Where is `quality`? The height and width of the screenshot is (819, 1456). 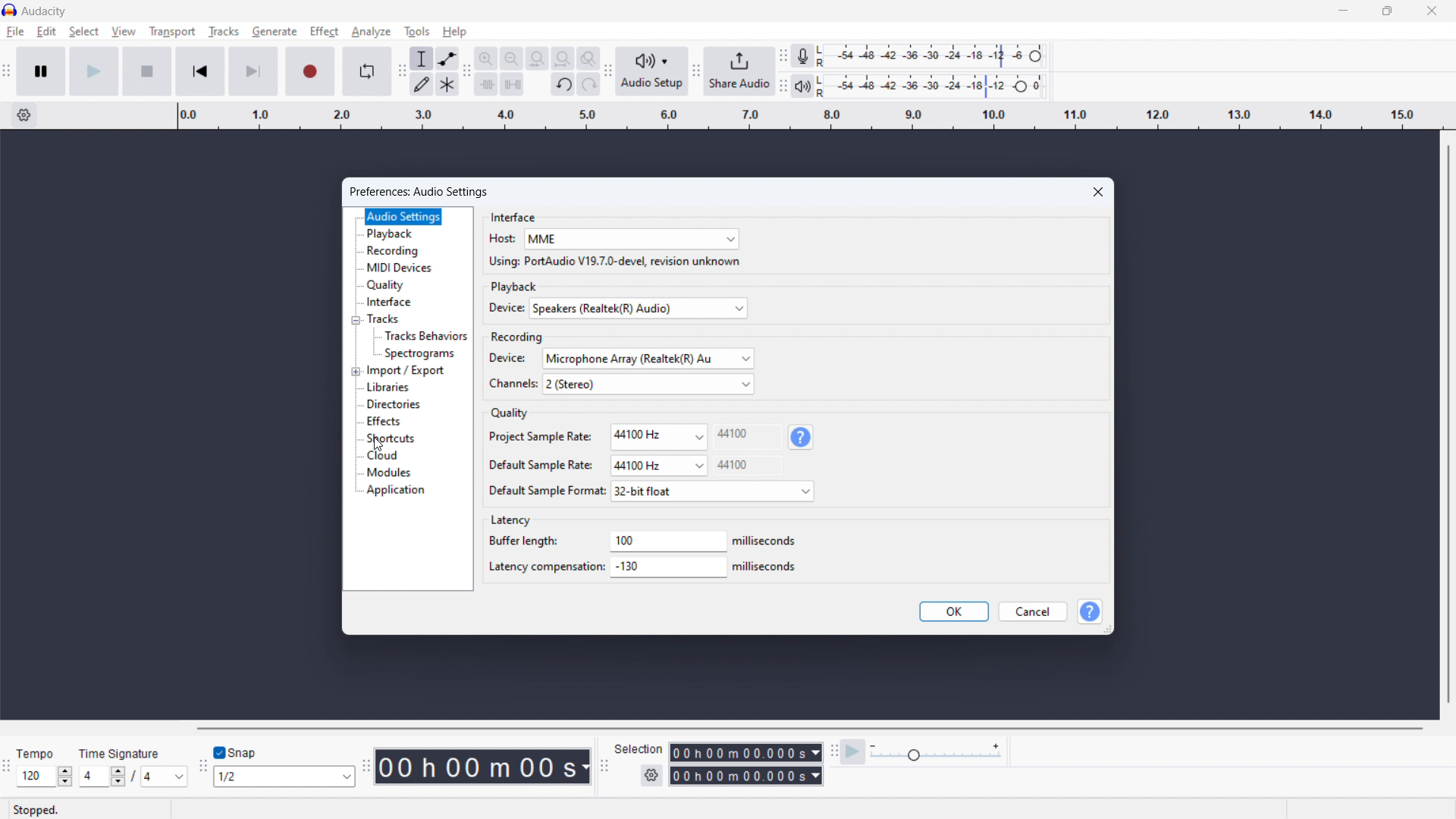 quality is located at coordinates (386, 284).